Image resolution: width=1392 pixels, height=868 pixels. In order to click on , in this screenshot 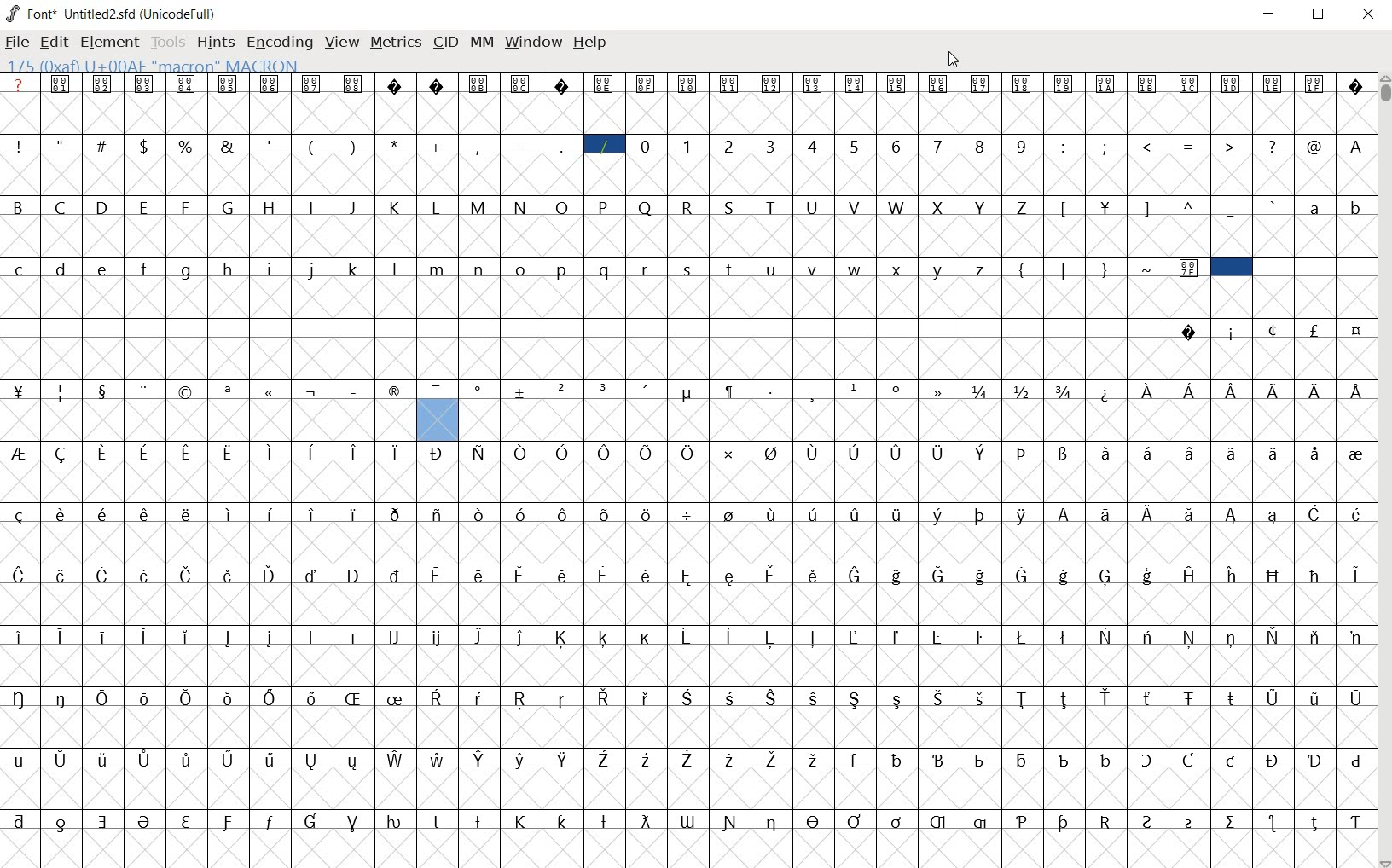, I will do `click(478, 148)`.